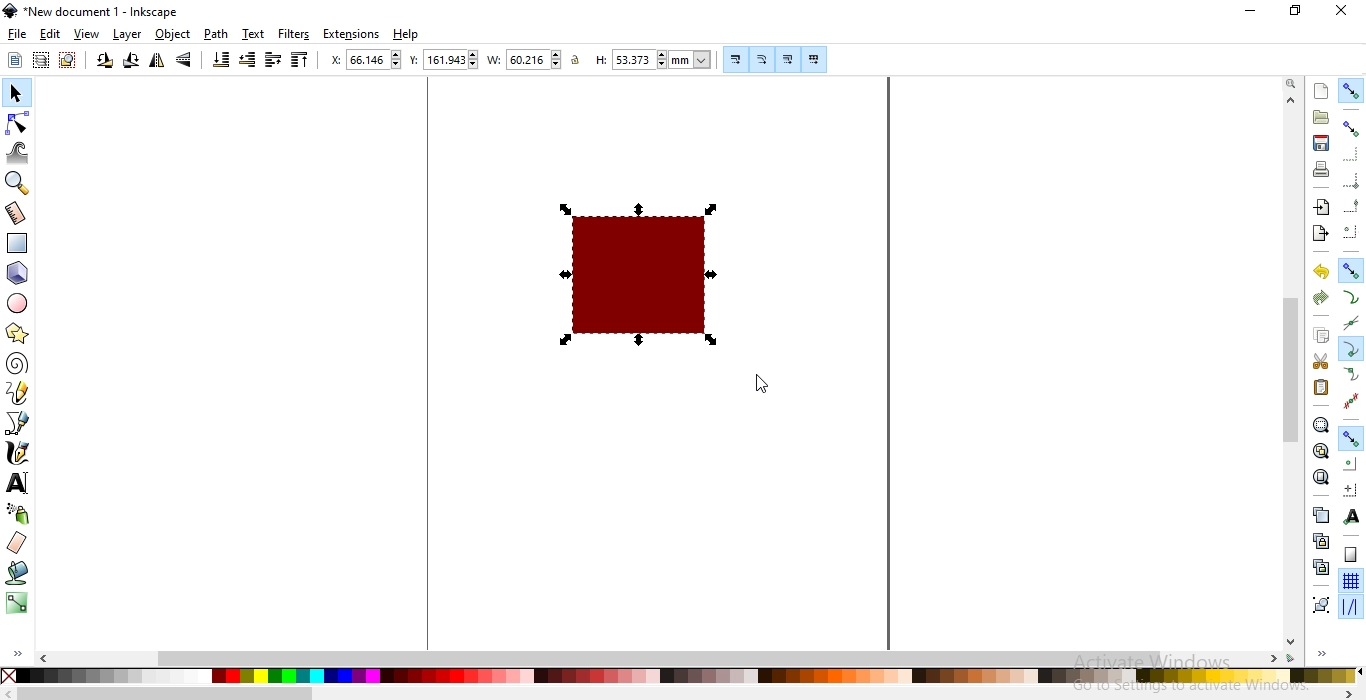 The height and width of the screenshot is (700, 1366). What do you see at coordinates (18, 423) in the screenshot?
I see `draw bazier lines and straight lines` at bounding box center [18, 423].